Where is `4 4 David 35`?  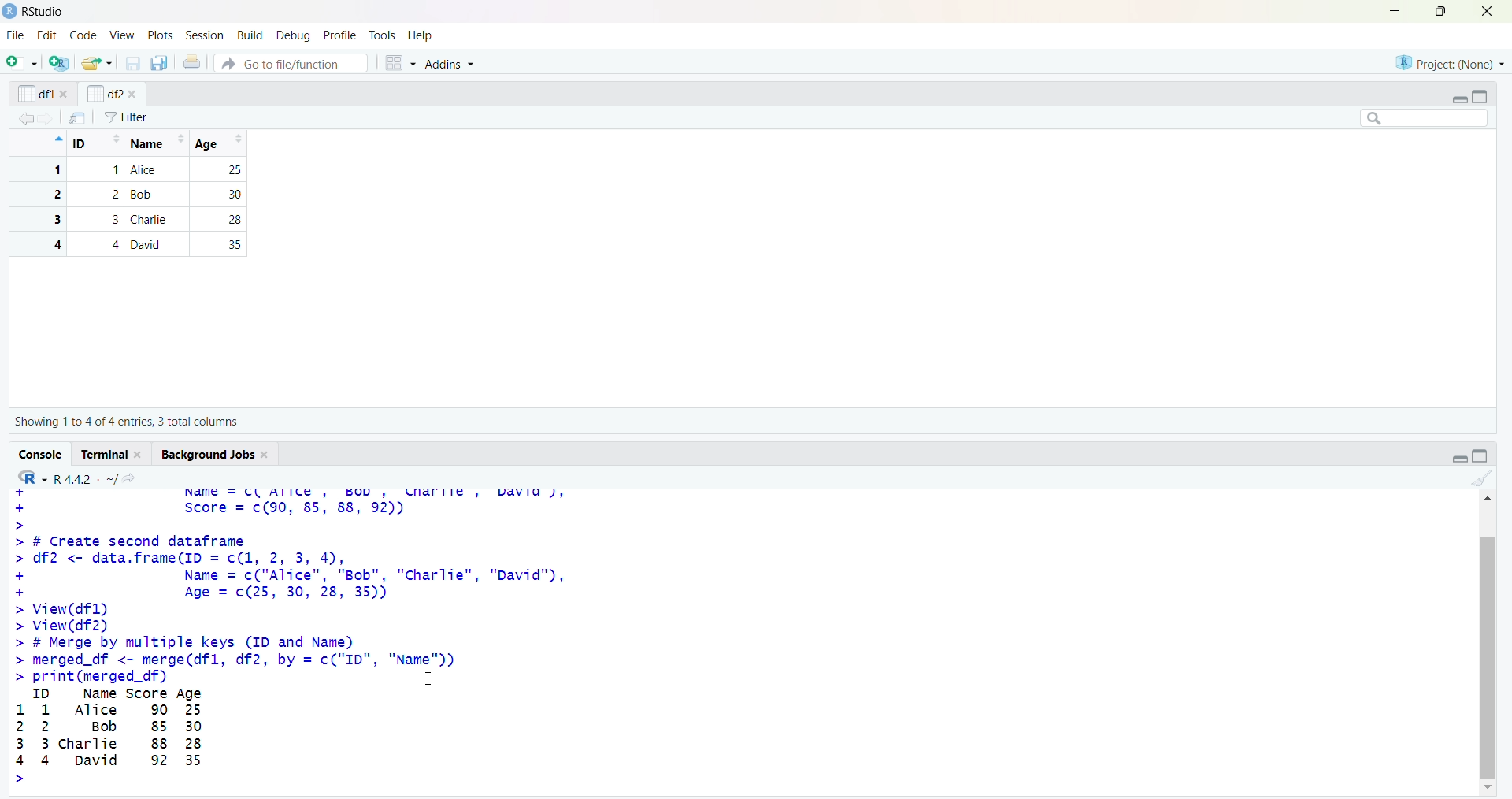 4 4 David 35 is located at coordinates (135, 244).